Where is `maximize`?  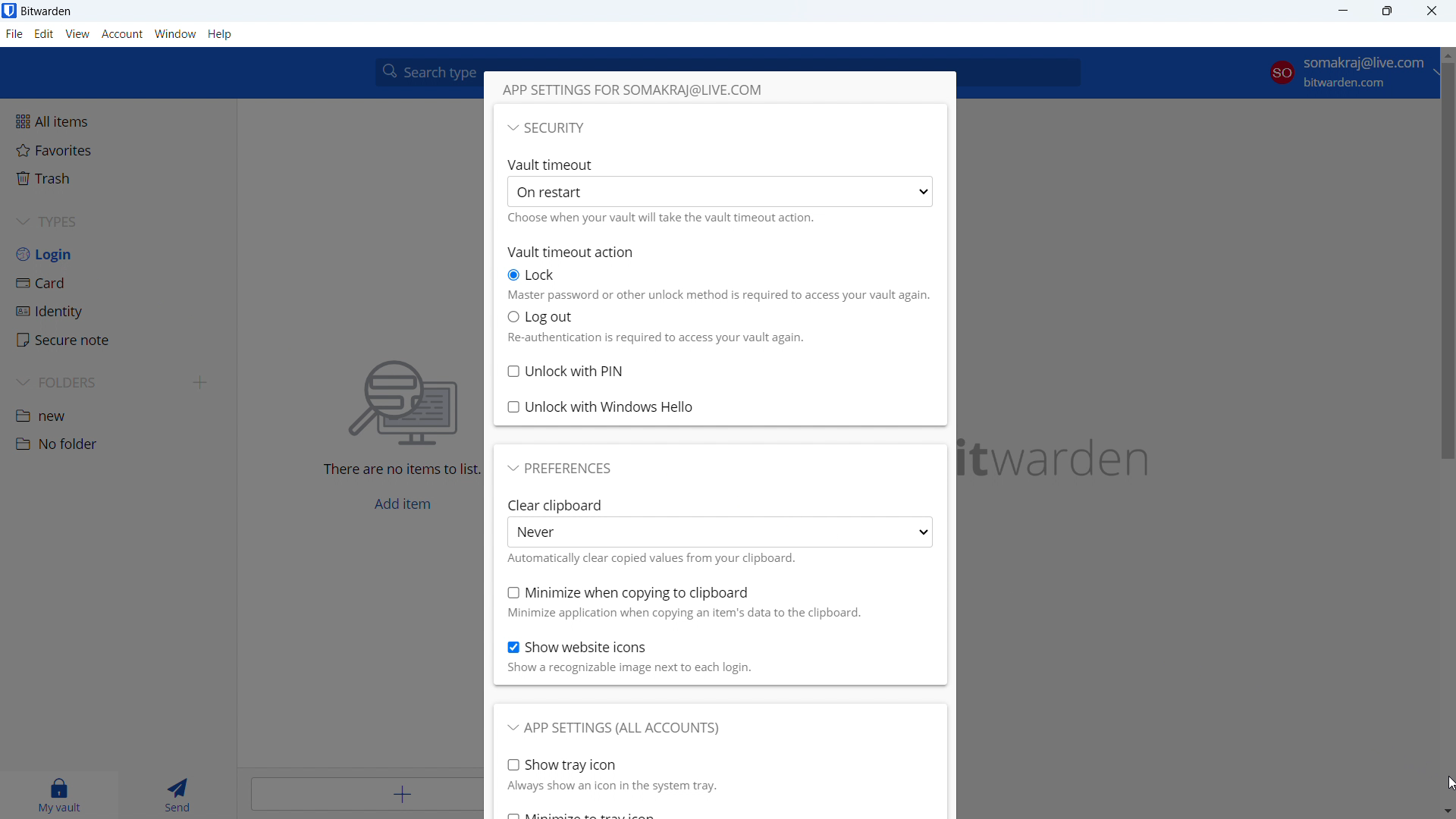 maximize is located at coordinates (1387, 11).